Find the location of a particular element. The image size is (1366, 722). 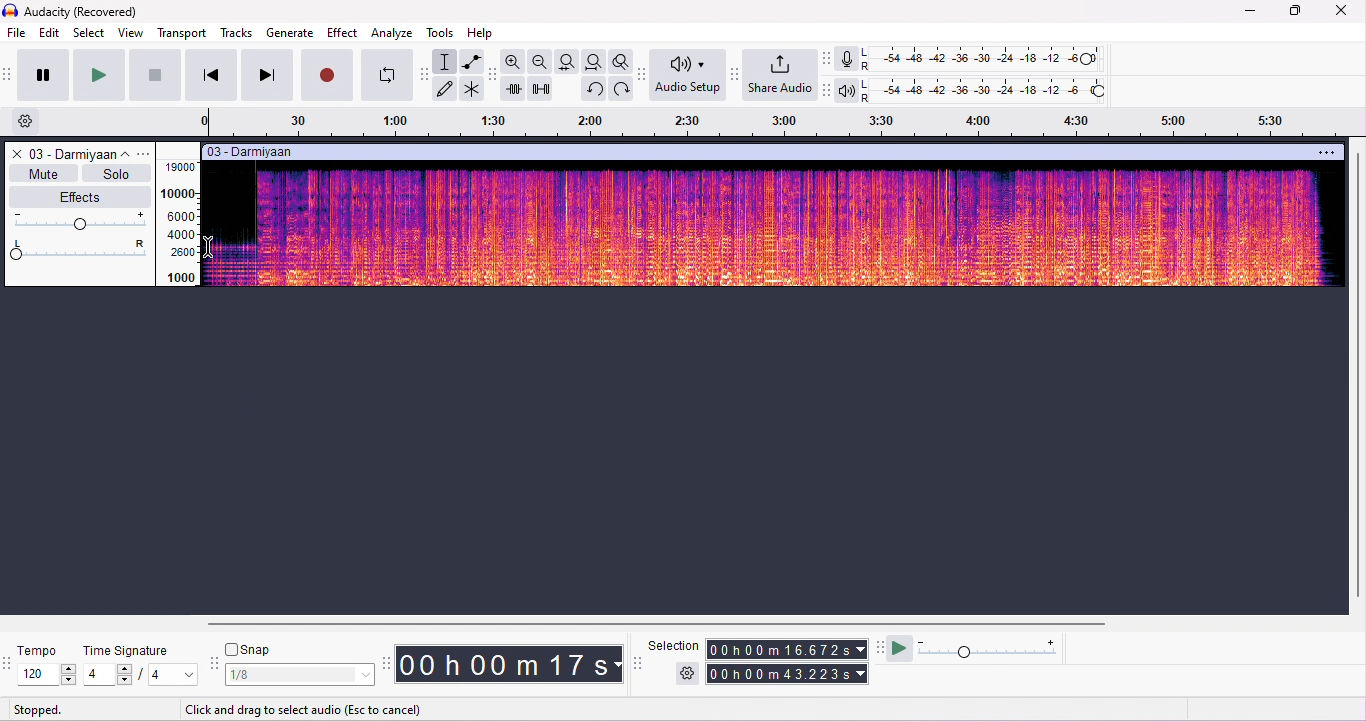

multi is located at coordinates (473, 89).